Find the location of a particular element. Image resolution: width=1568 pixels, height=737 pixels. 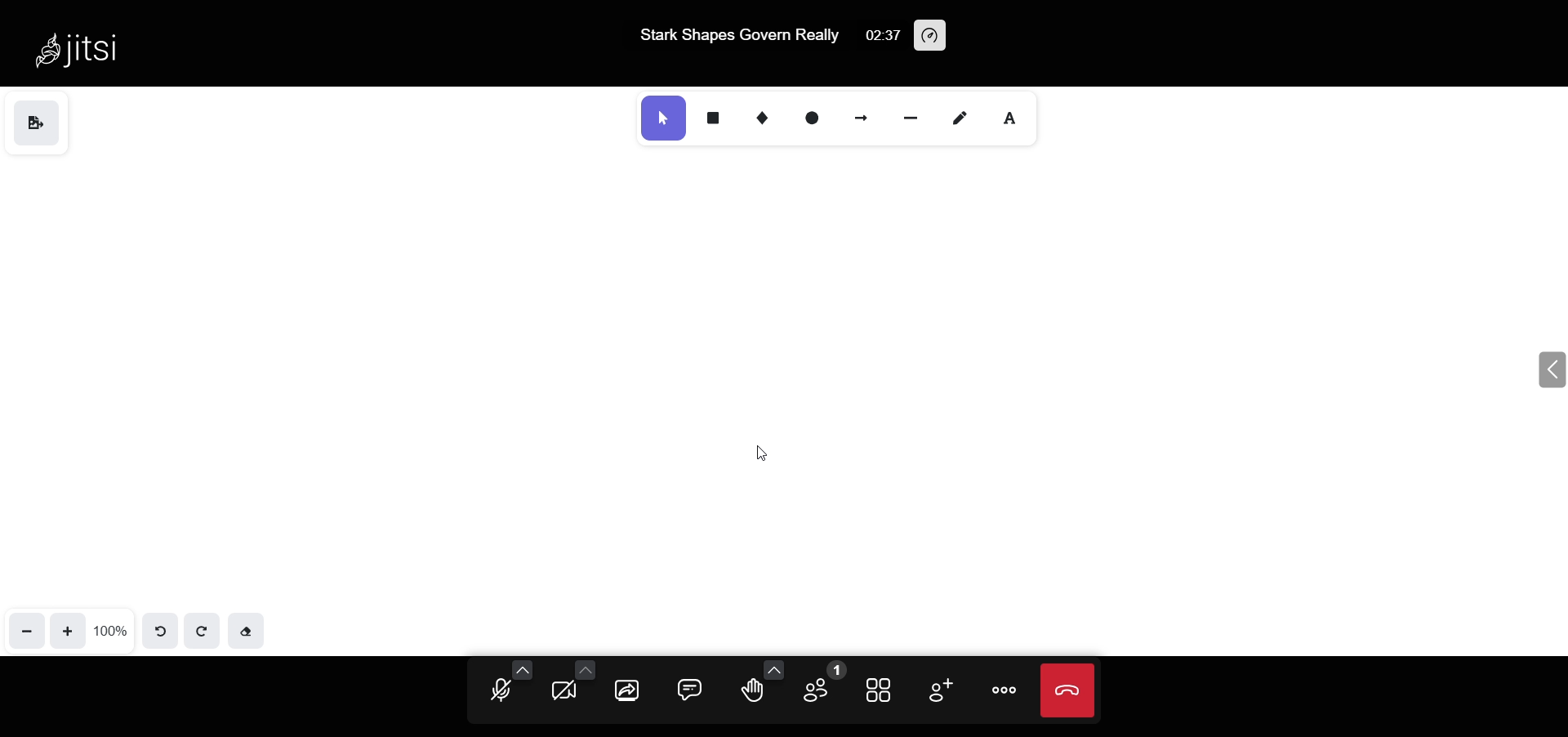

save as image is located at coordinates (36, 125).